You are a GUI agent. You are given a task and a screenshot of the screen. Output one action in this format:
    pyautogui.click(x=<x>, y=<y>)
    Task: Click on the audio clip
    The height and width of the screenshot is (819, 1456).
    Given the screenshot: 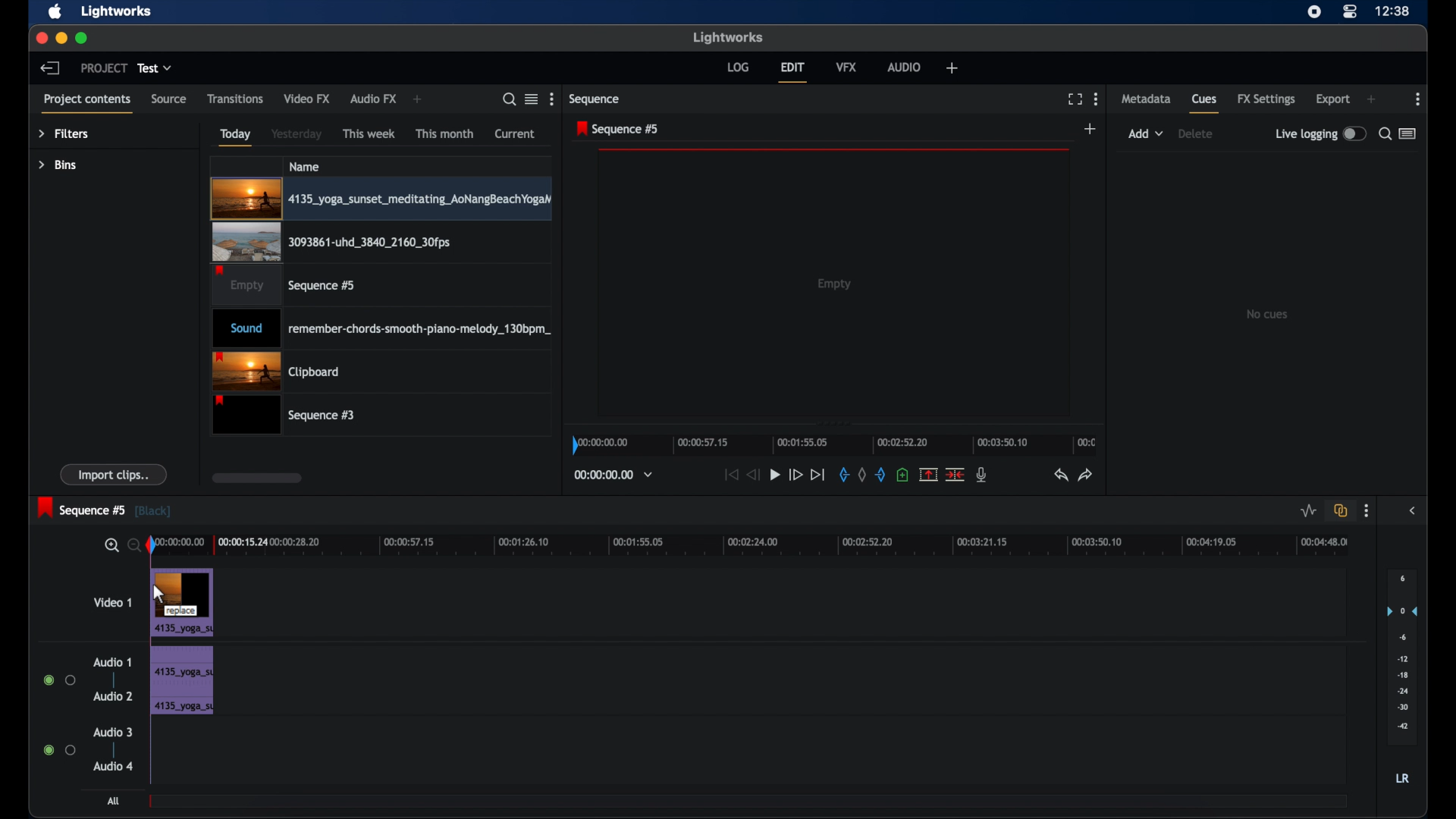 What is the action you would take?
    pyautogui.click(x=184, y=702)
    